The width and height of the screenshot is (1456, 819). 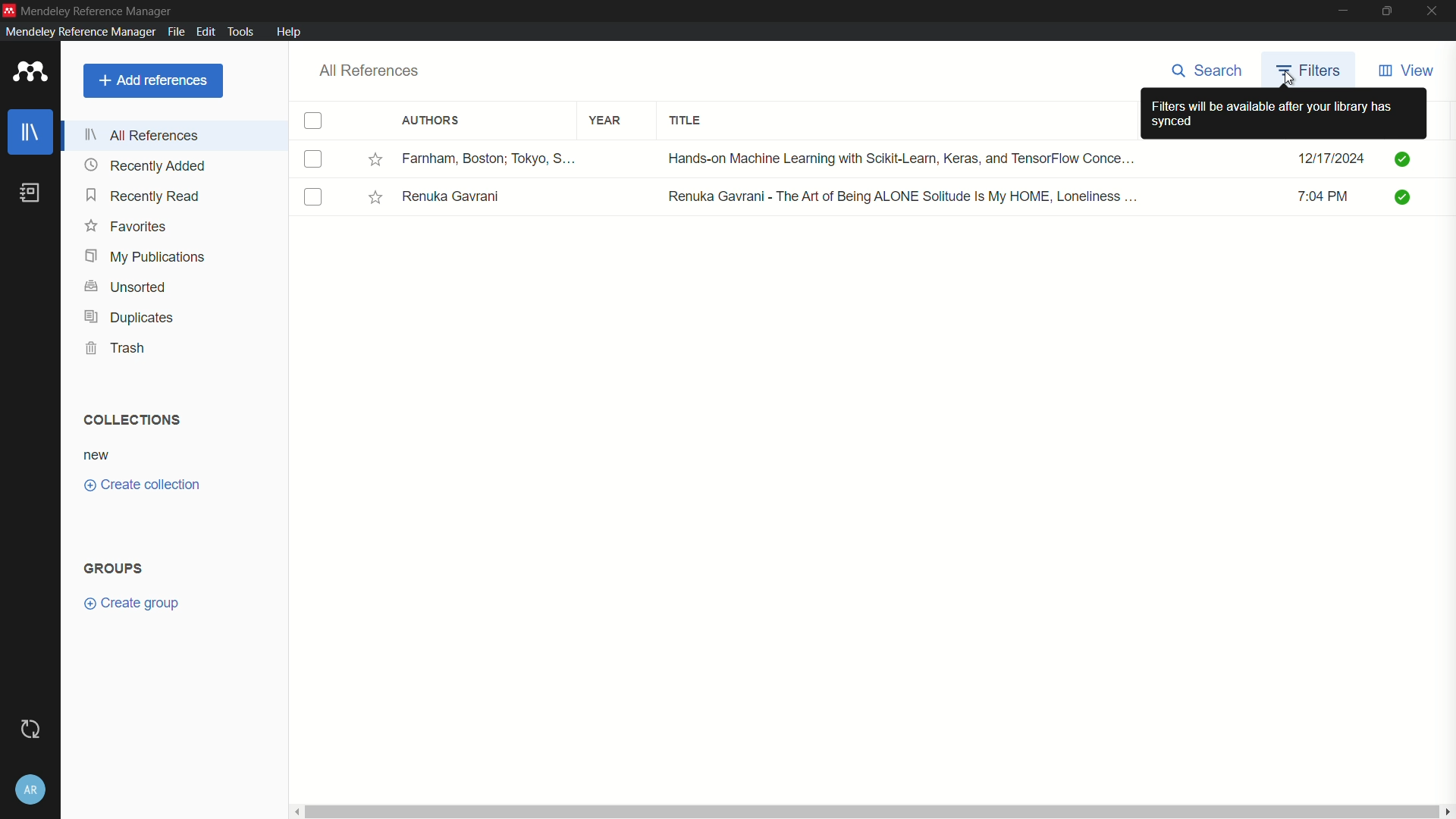 I want to click on mendeley reference manager, so click(x=95, y=12).